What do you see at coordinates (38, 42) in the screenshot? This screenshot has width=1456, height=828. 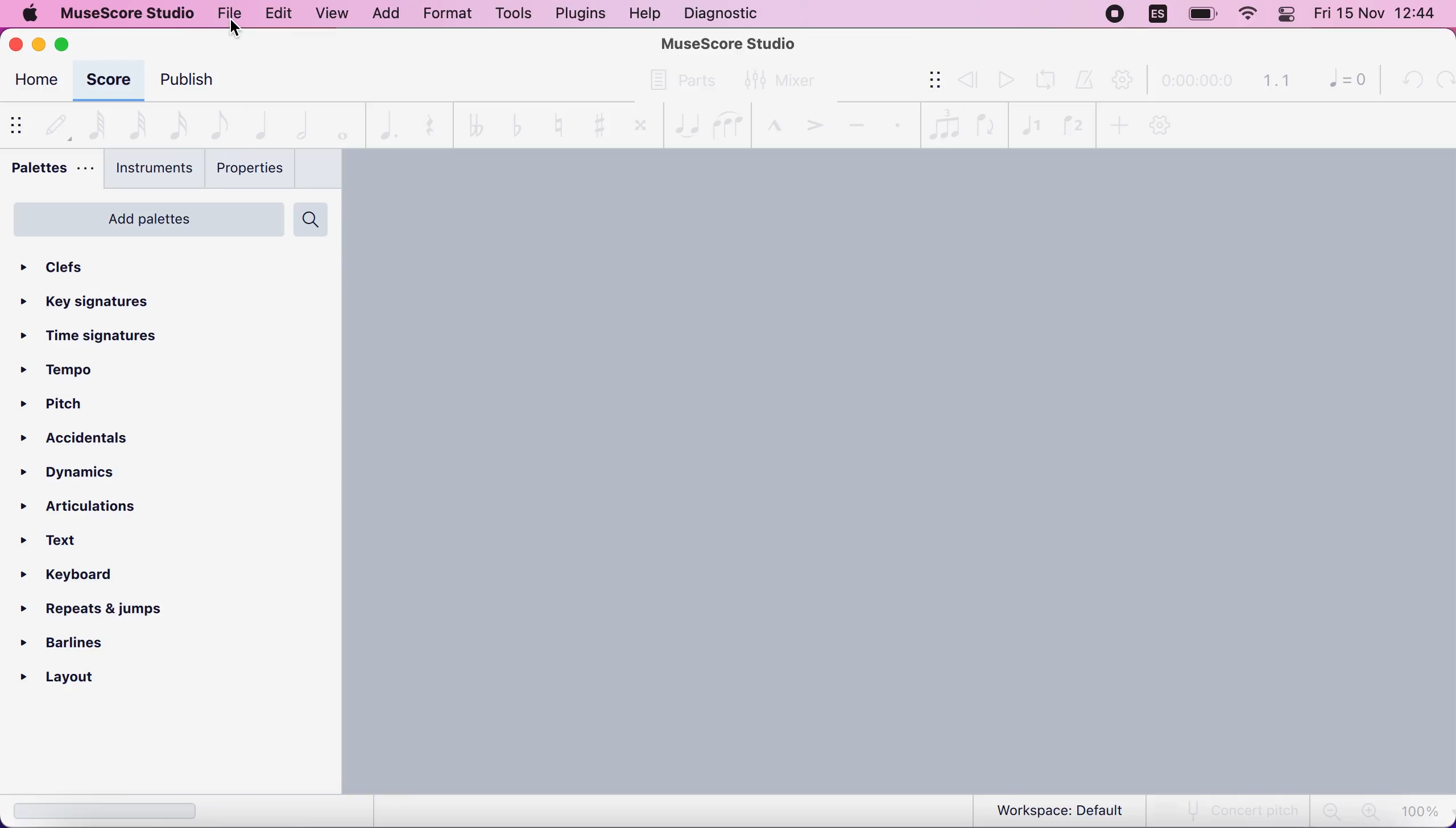 I see `minimize` at bounding box center [38, 42].